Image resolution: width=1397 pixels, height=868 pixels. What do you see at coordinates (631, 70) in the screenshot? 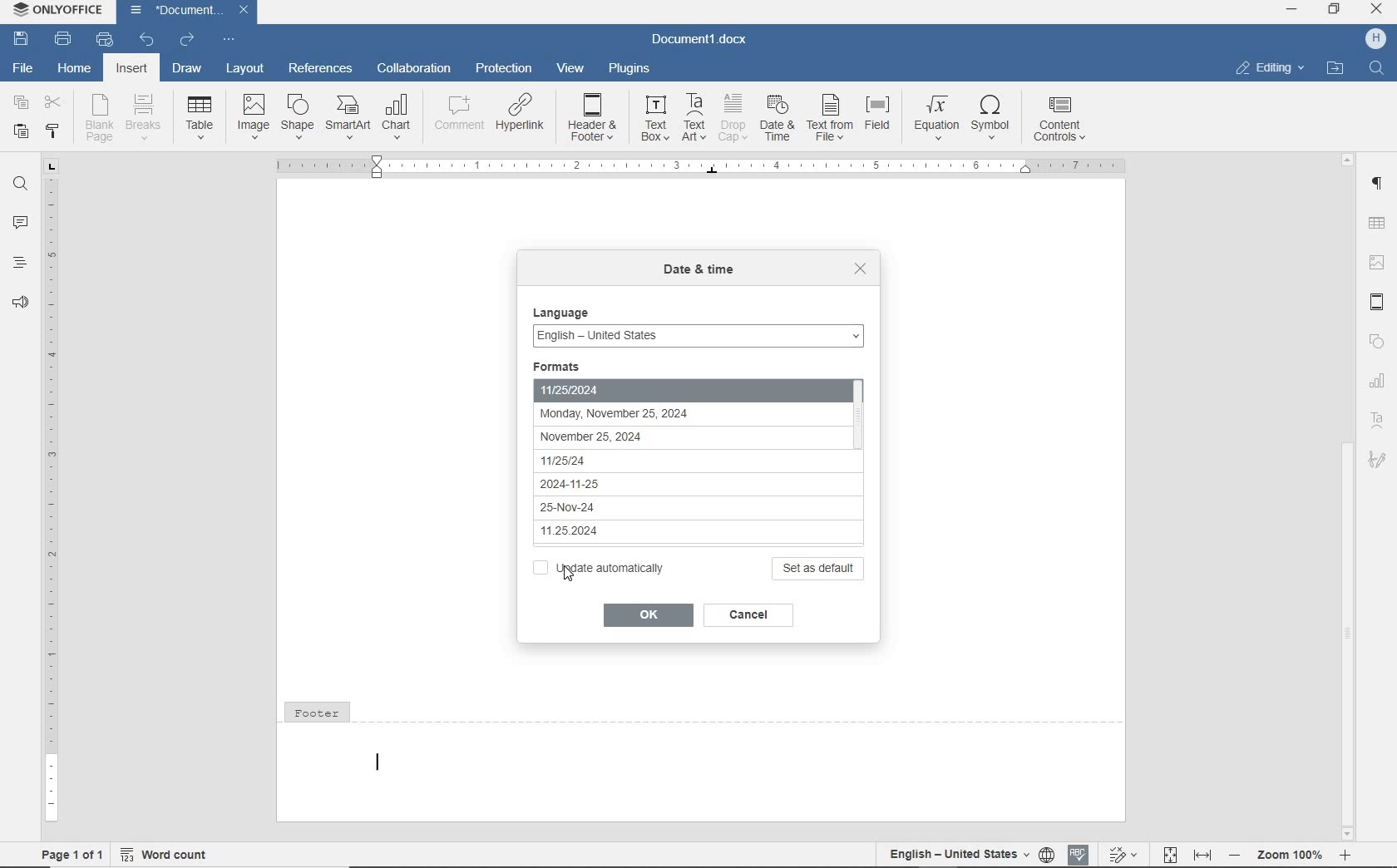
I see `plugins` at bounding box center [631, 70].